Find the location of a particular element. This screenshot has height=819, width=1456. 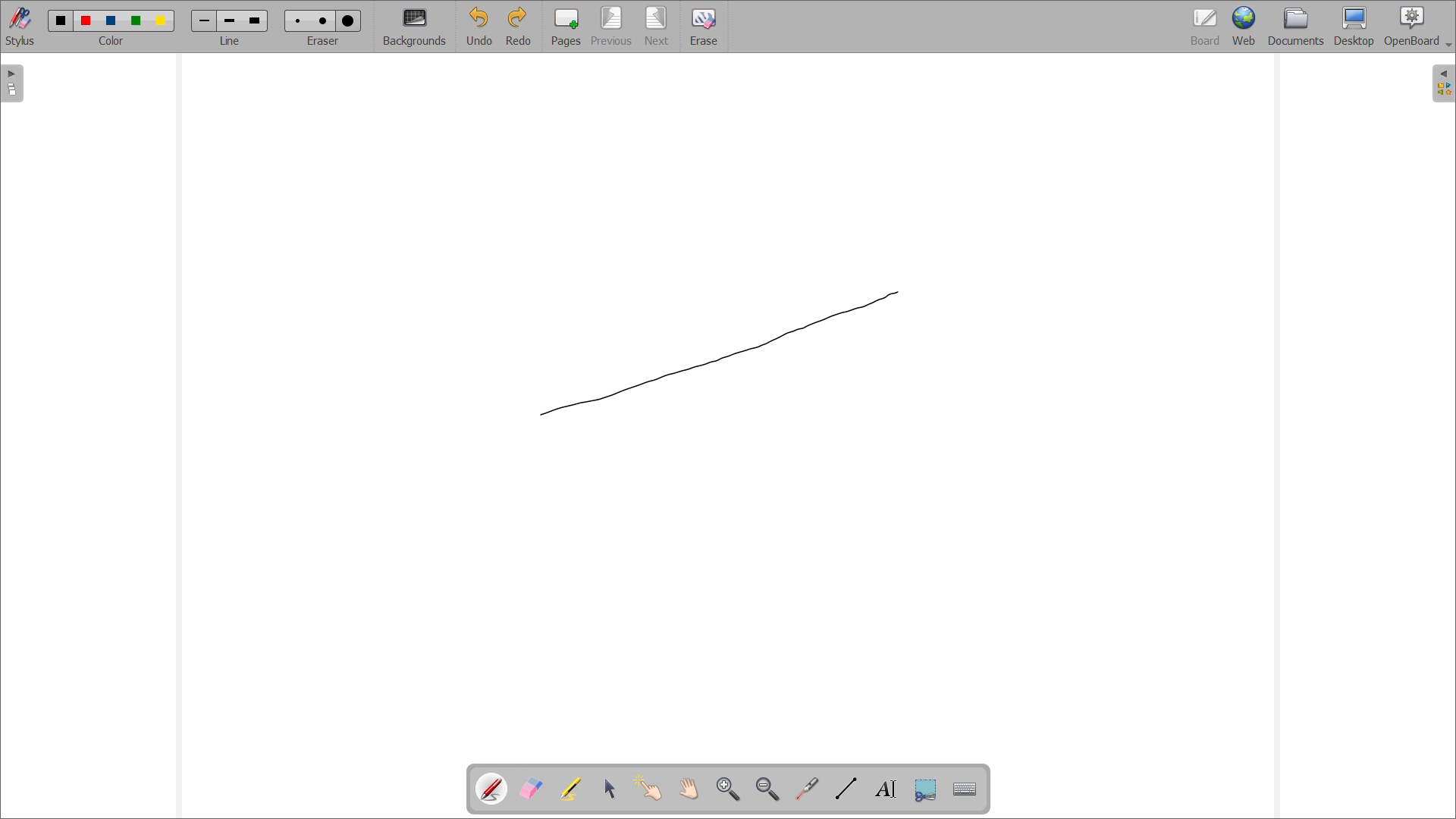

web is located at coordinates (1244, 27).